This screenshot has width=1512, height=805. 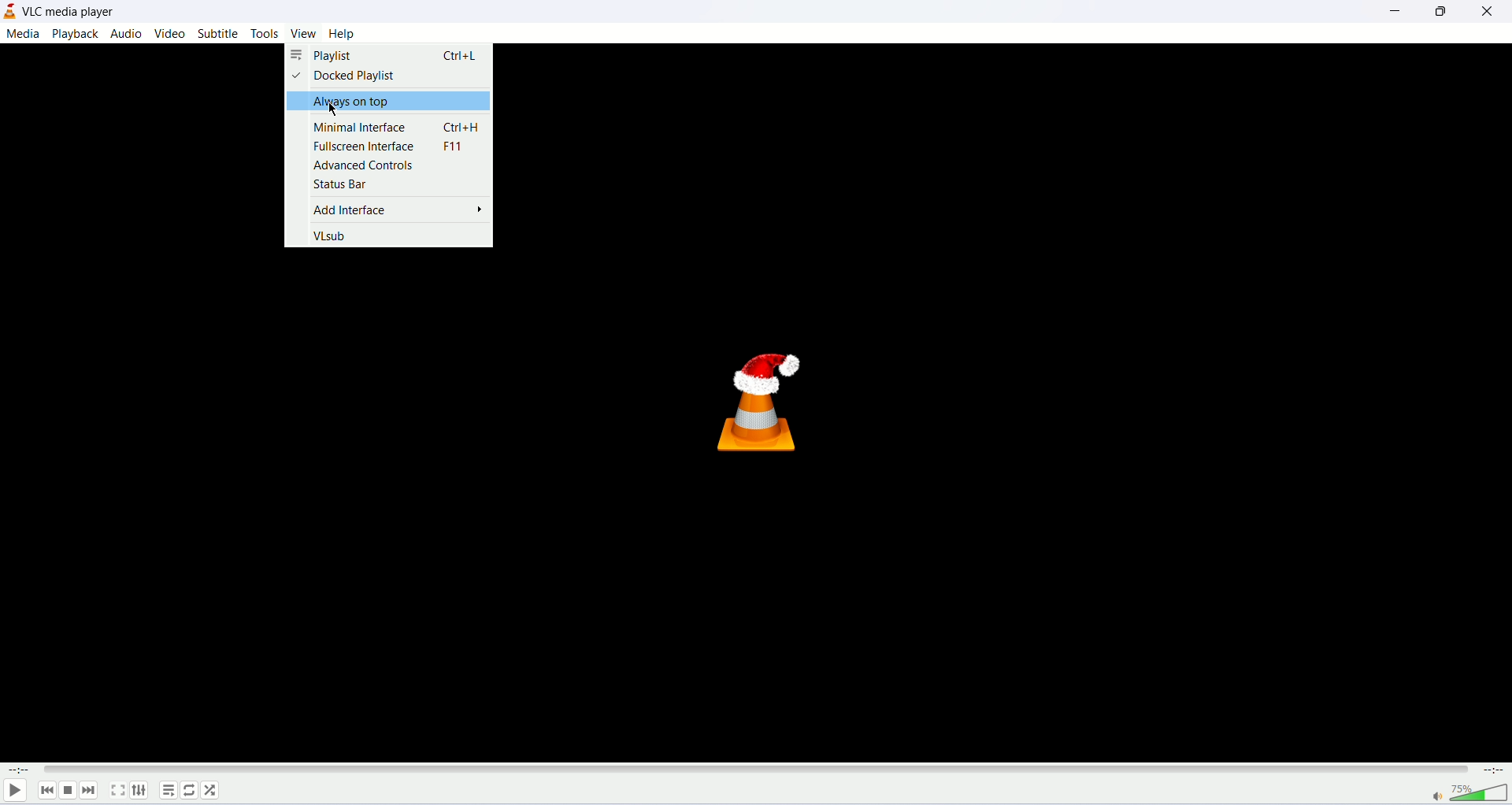 What do you see at coordinates (73, 11) in the screenshot?
I see `vlc media player` at bounding box center [73, 11].